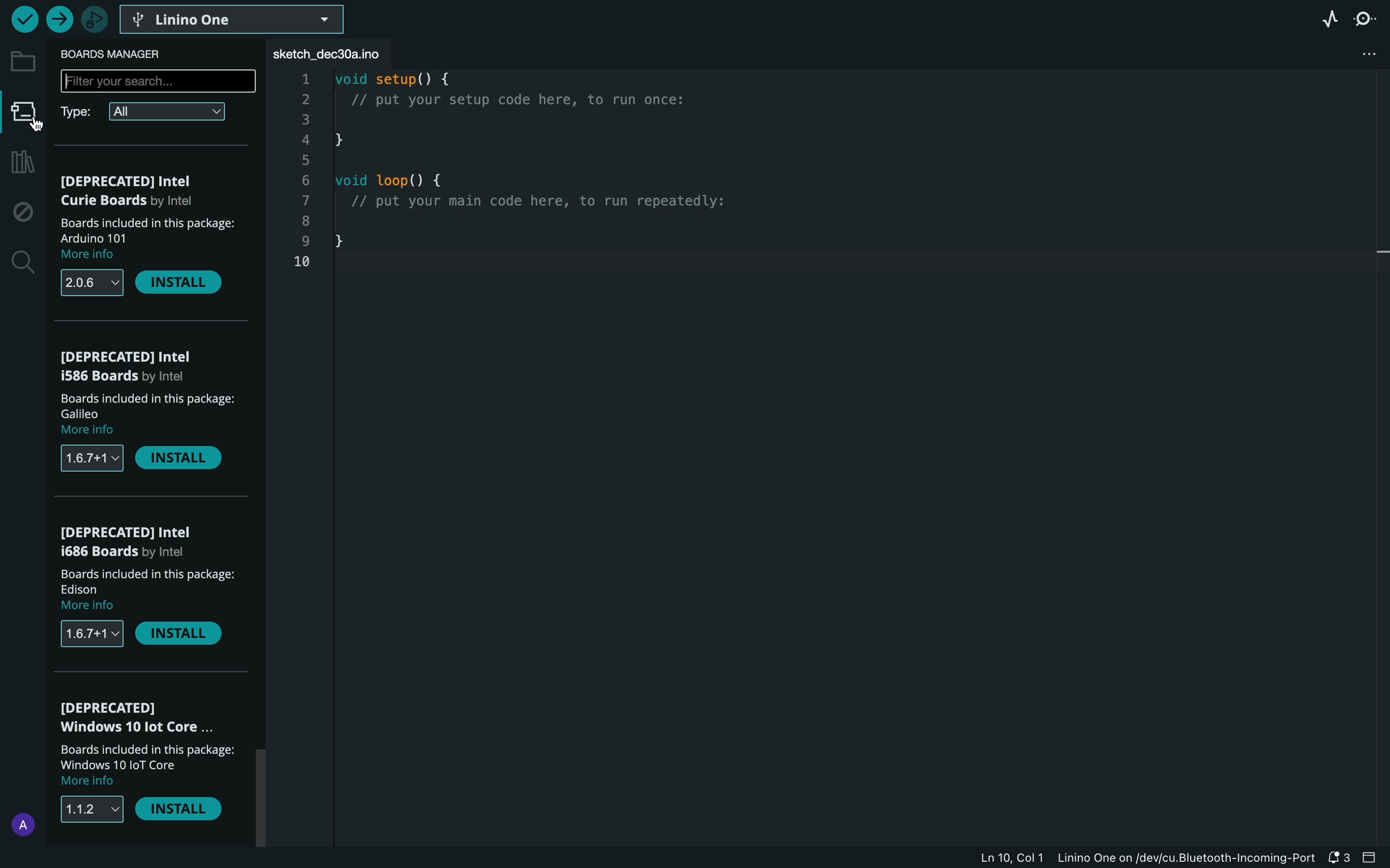 The height and width of the screenshot is (868, 1390). What do you see at coordinates (94, 635) in the screenshot?
I see `versions` at bounding box center [94, 635].